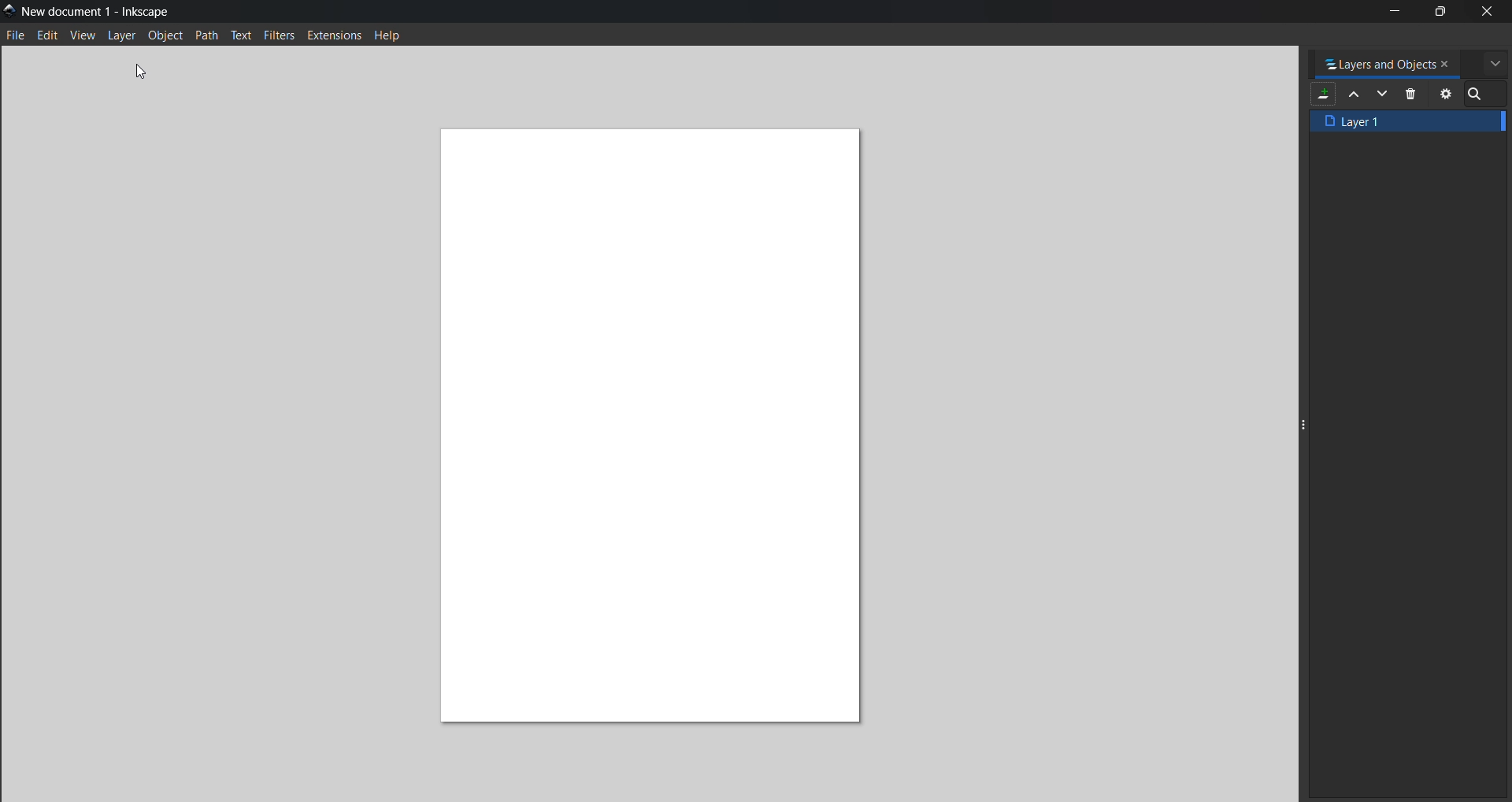  Describe the element at coordinates (46, 36) in the screenshot. I see `edit` at that location.